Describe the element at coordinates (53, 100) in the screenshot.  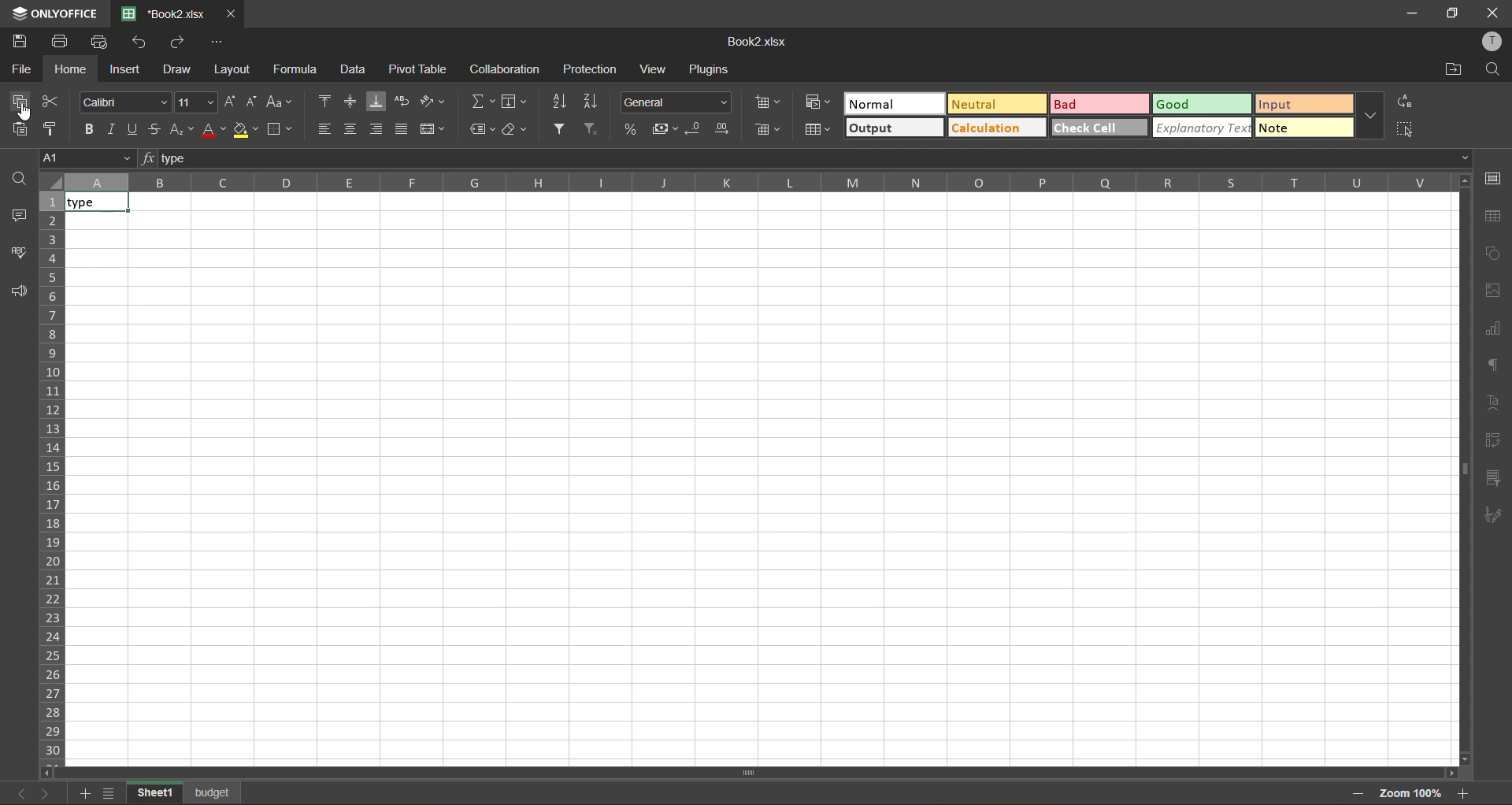
I see `cut` at that location.